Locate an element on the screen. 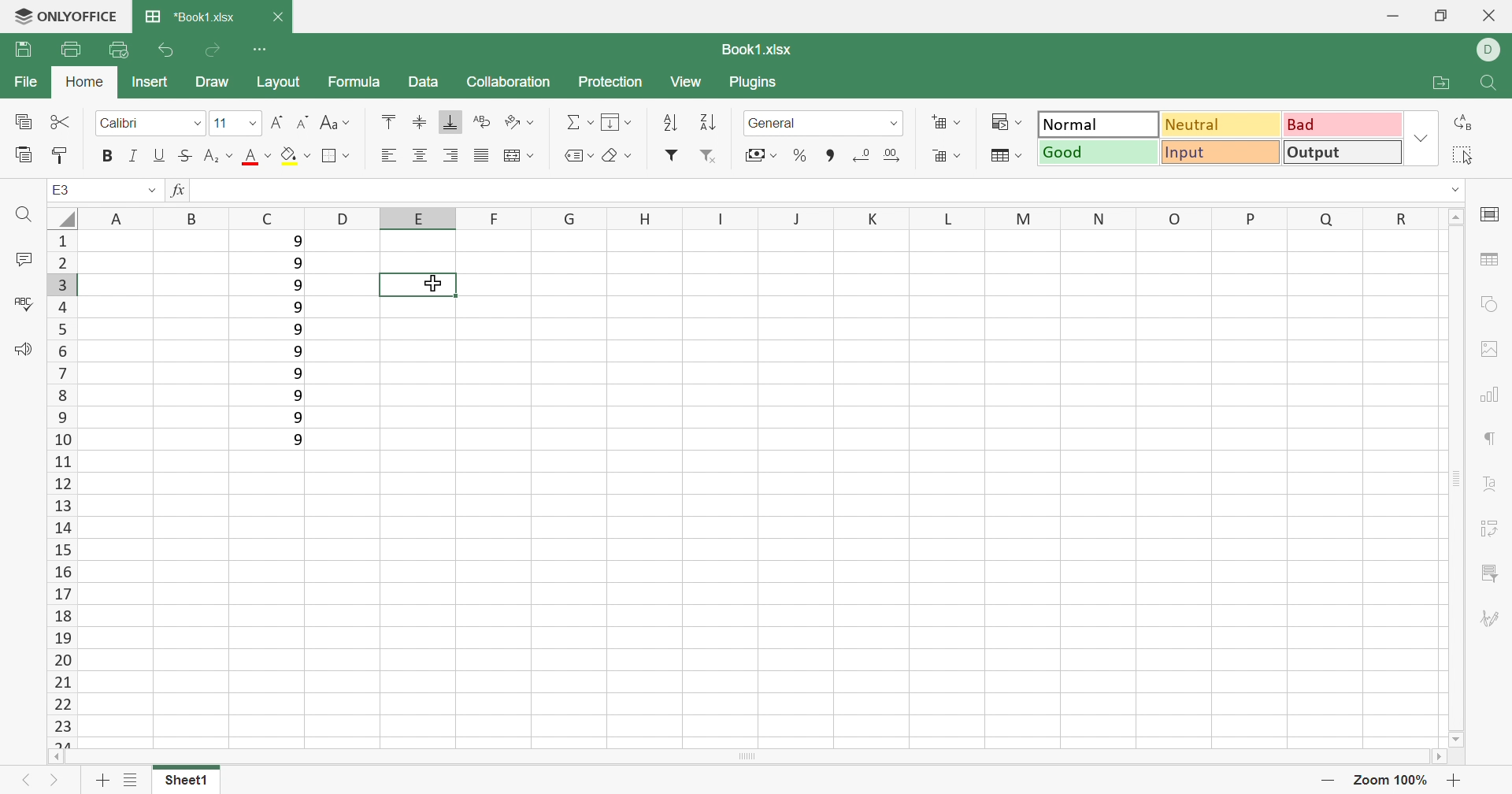 The height and width of the screenshot is (794, 1512). E3 is located at coordinates (62, 189).